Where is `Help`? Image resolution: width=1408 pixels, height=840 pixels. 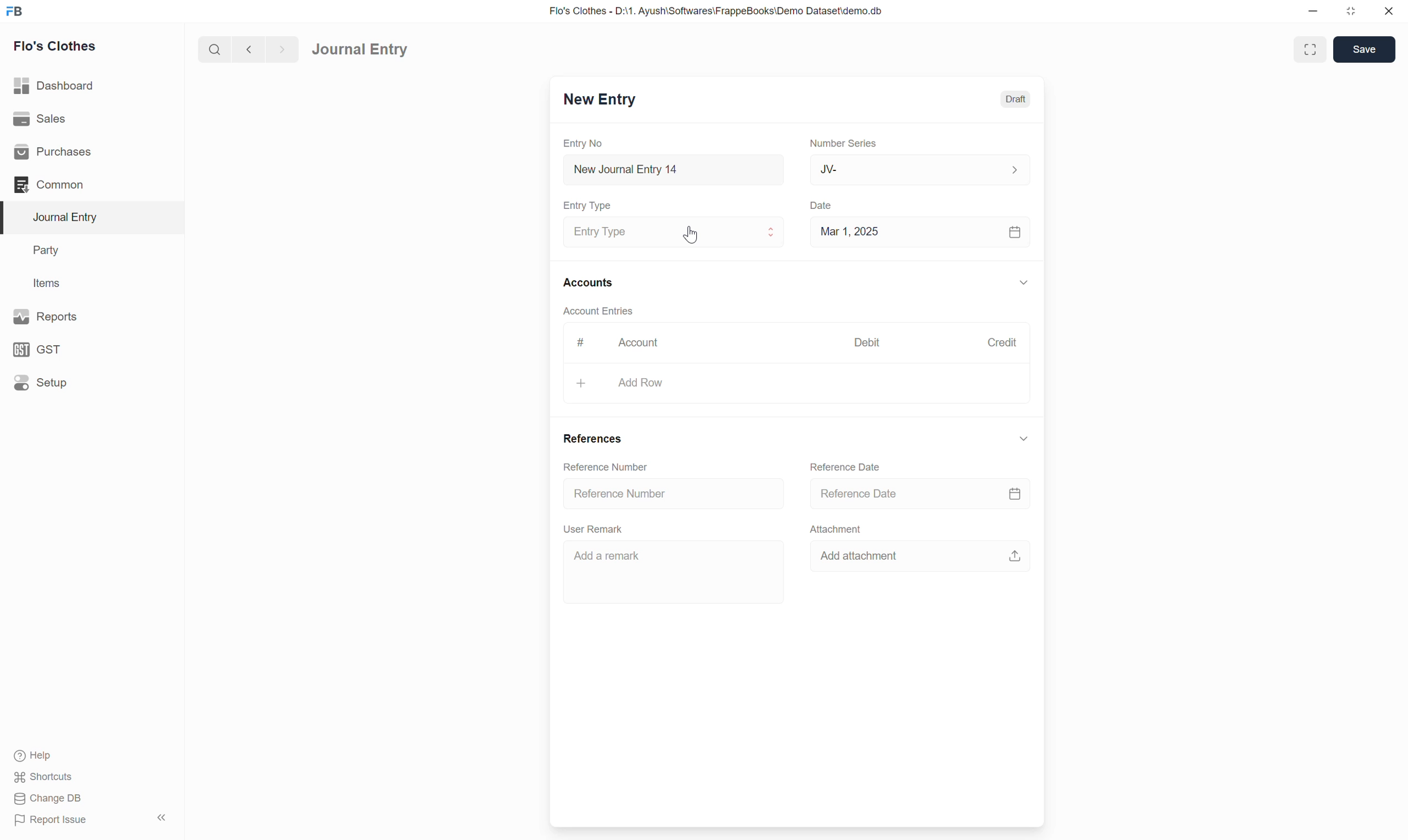 Help is located at coordinates (36, 756).